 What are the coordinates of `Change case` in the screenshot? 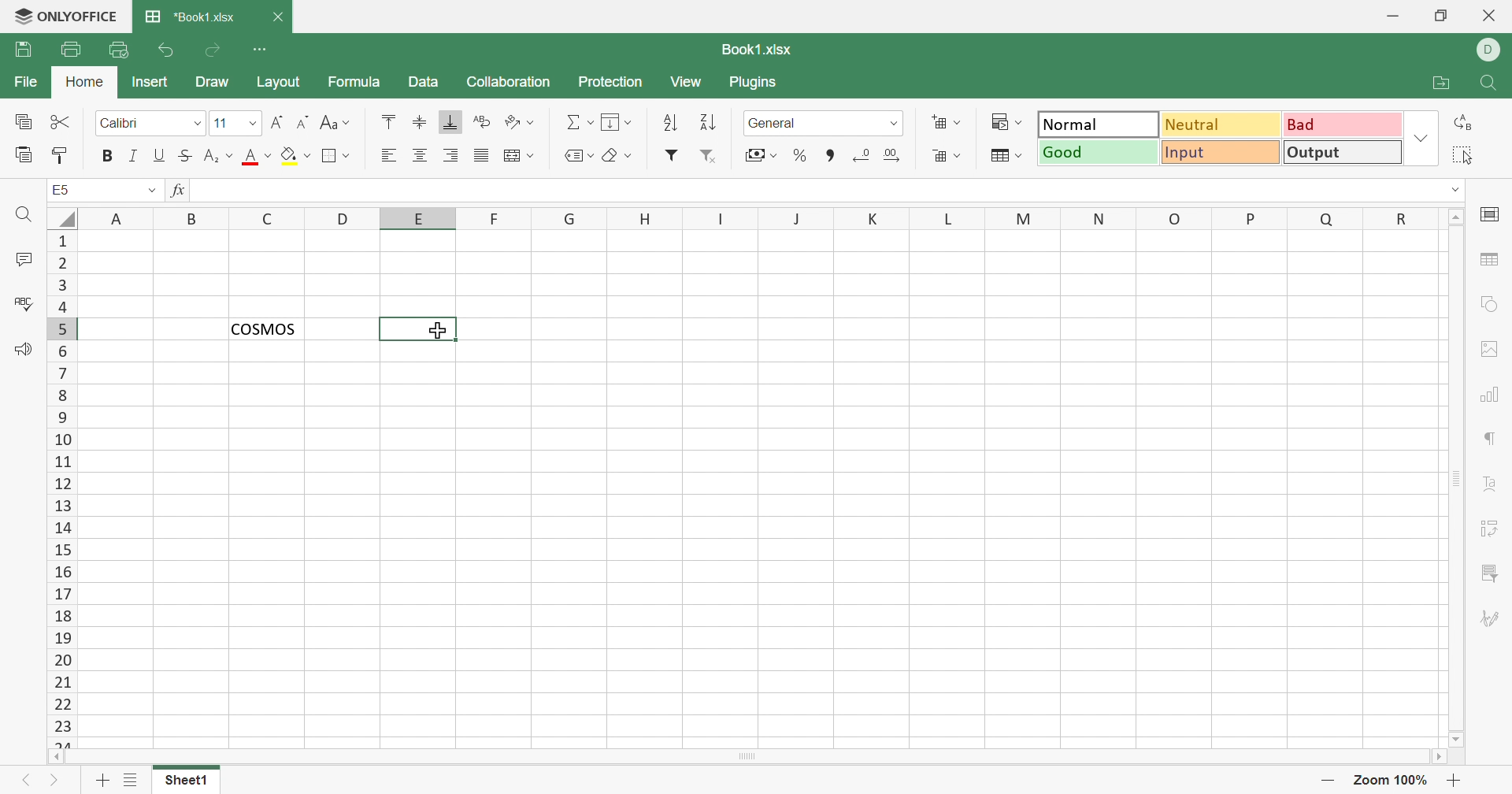 It's located at (335, 123).